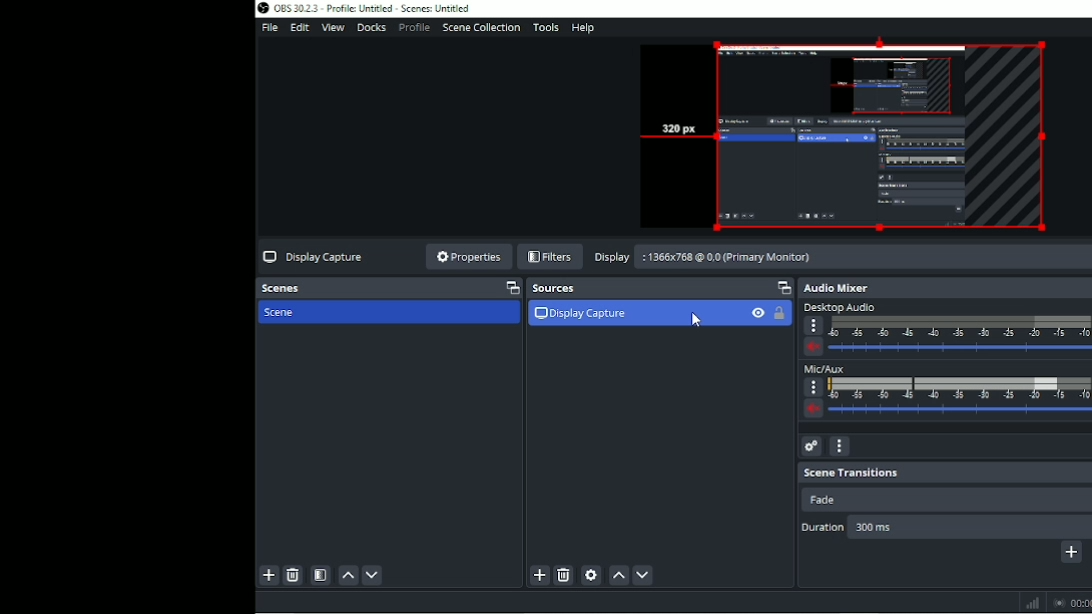  I want to click on Lock, so click(781, 314).